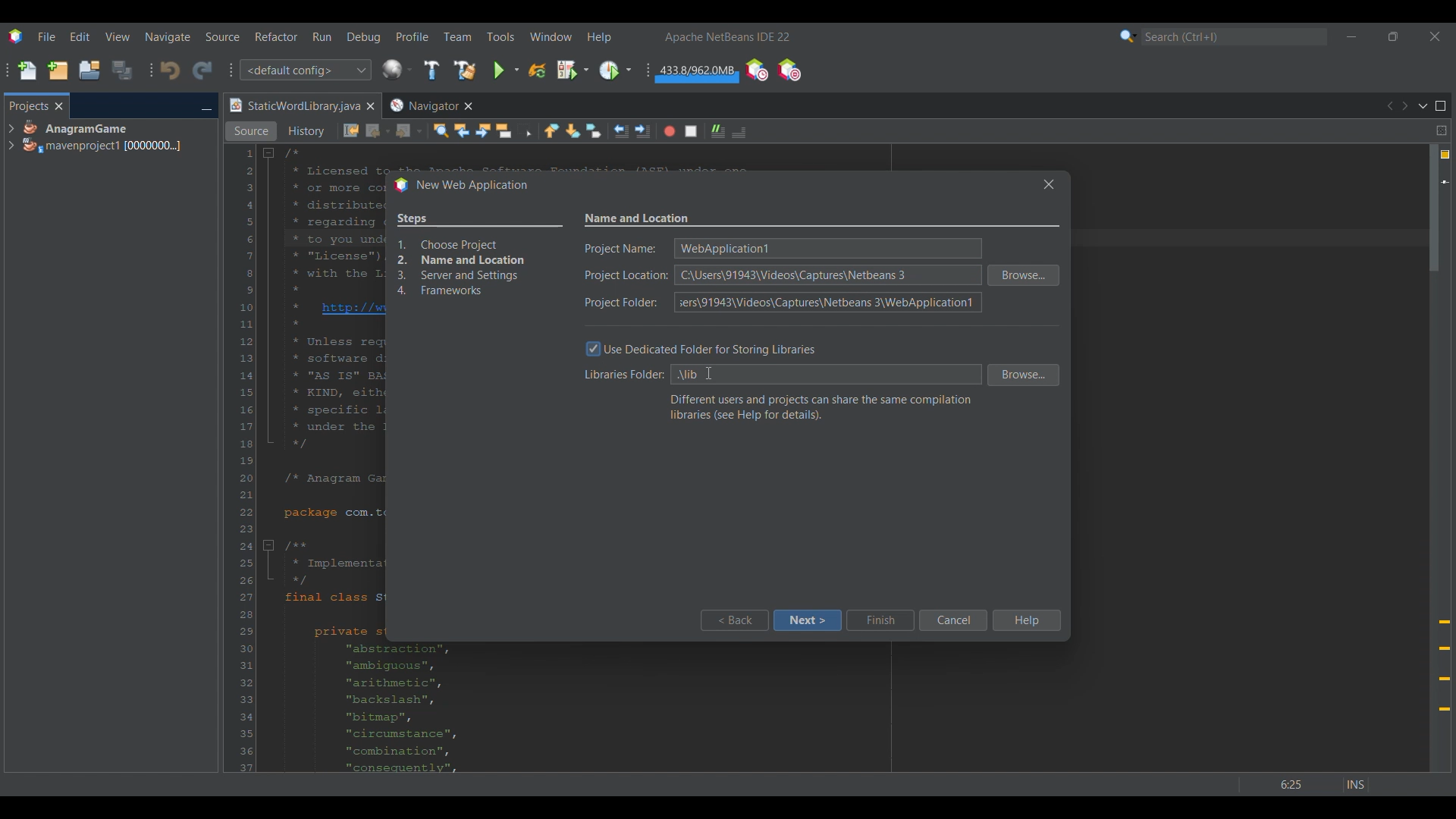 This screenshot has width=1456, height=819. Describe the element at coordinates (697, 73) in the screenshot. I see `Garbage collection changed` at that location.